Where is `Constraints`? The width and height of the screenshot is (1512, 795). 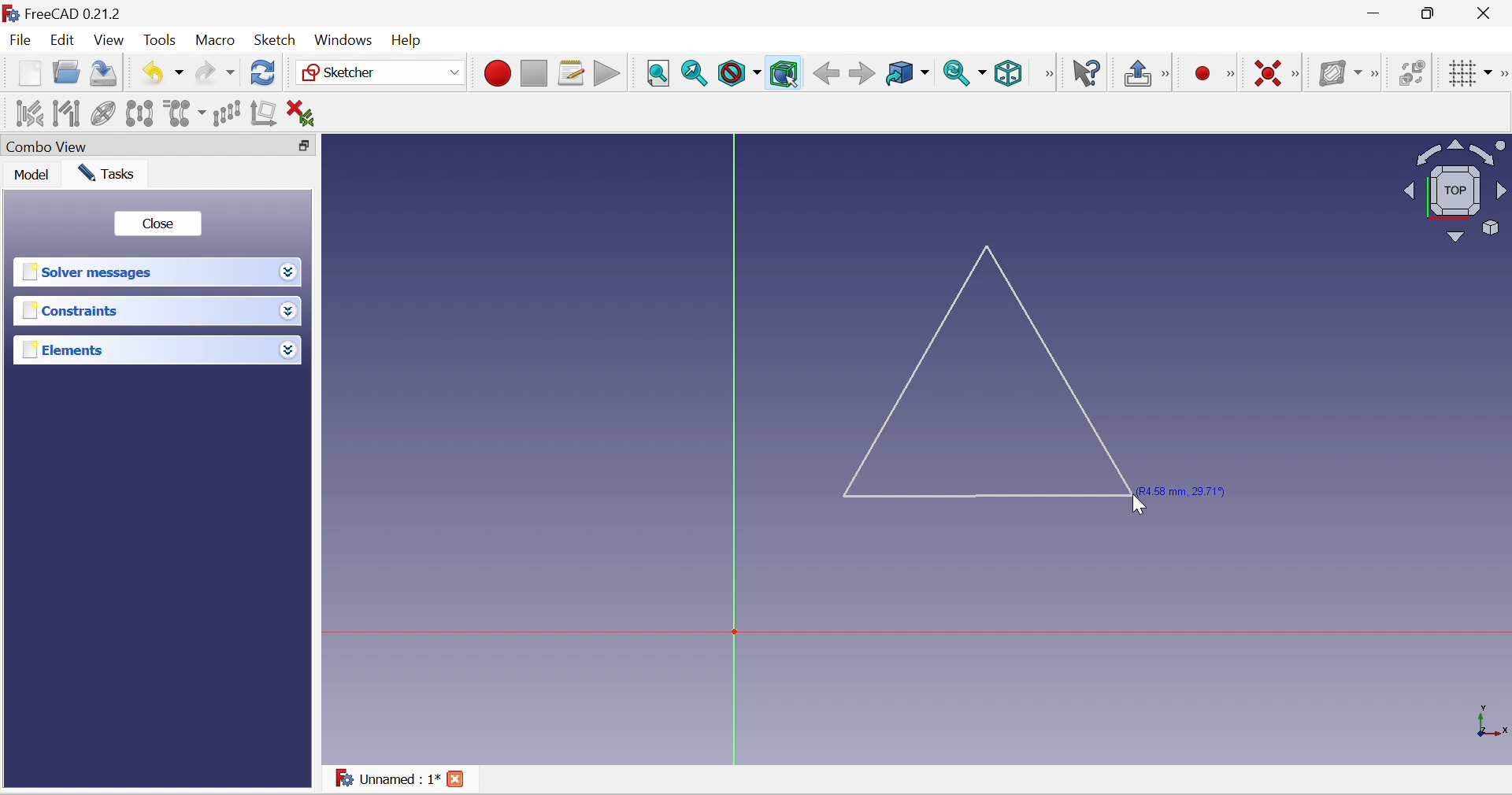
Constraints is located at coordinates (143, 311).